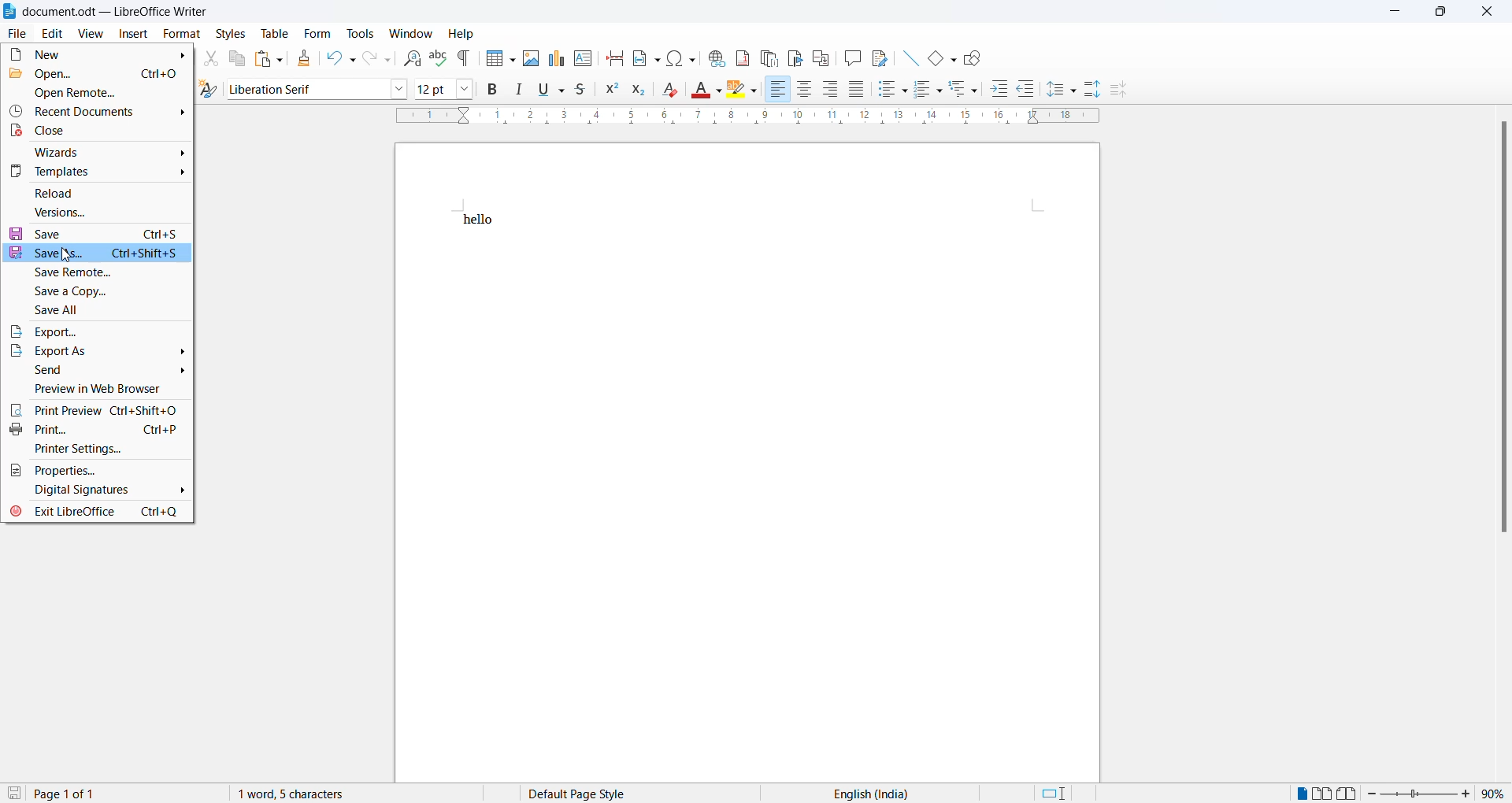  What do you see at coordinates (95, 390) in the screenshot?
I see `Preview web browser` at bounding box center [95, 390].